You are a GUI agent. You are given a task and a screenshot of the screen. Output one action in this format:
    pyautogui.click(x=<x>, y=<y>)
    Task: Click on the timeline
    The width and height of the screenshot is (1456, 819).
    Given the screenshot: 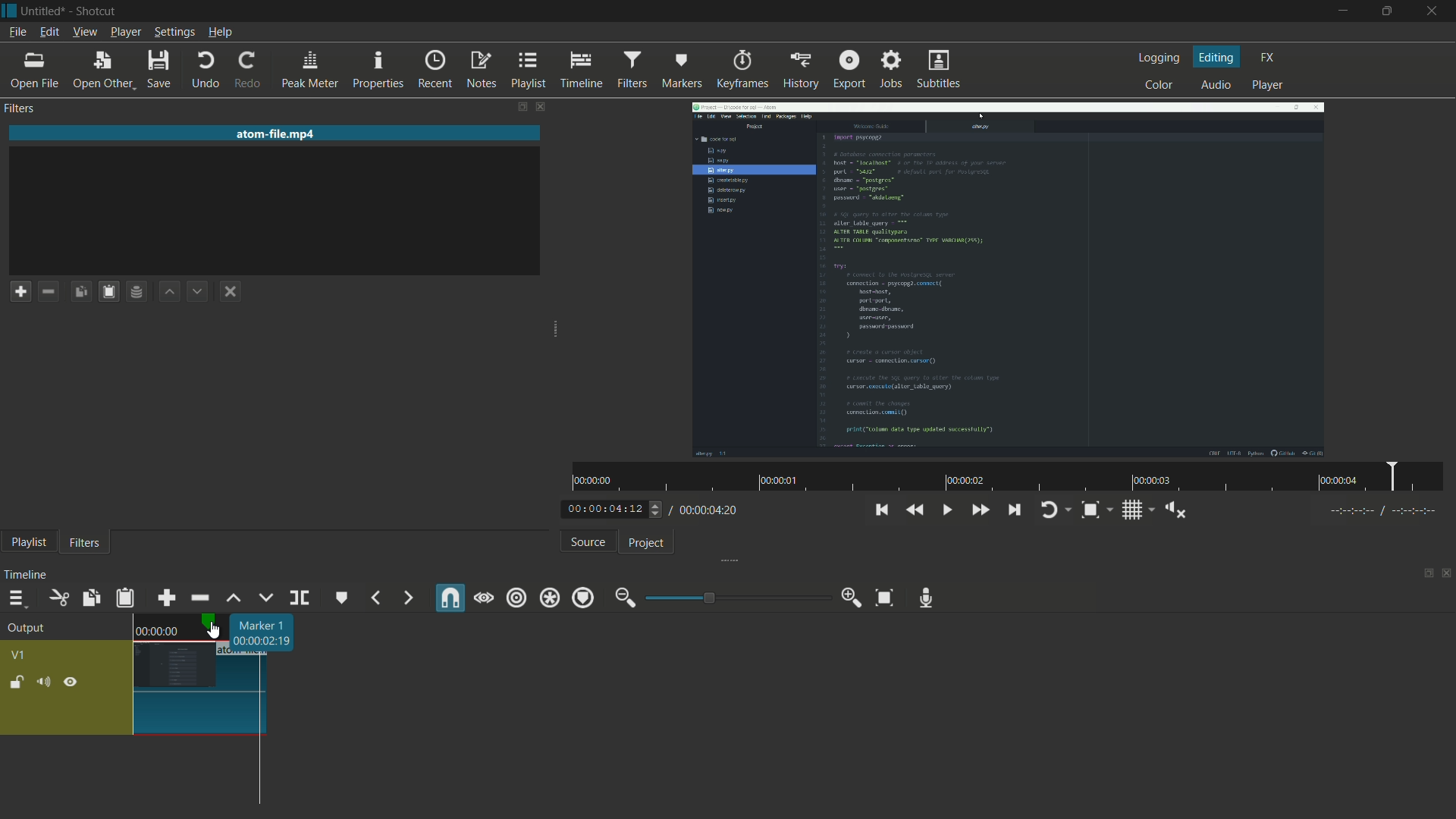 What is the action you would take?
    pyautogui.click(x=581, y=71)
    